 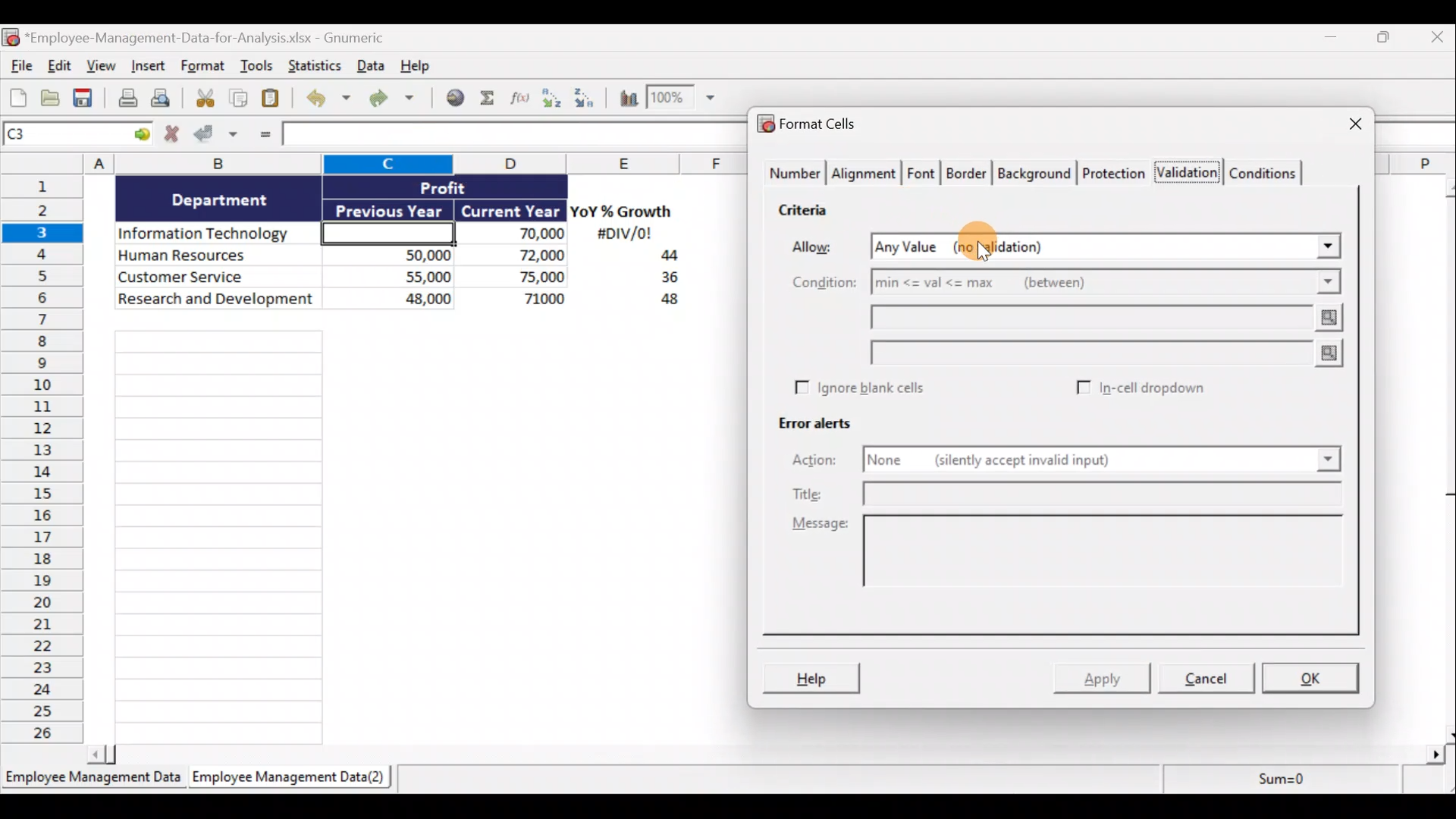 What do you see at coordinates (1312, 676) in the screenshot?
I see `OK` at bounding box center [1312, 676].